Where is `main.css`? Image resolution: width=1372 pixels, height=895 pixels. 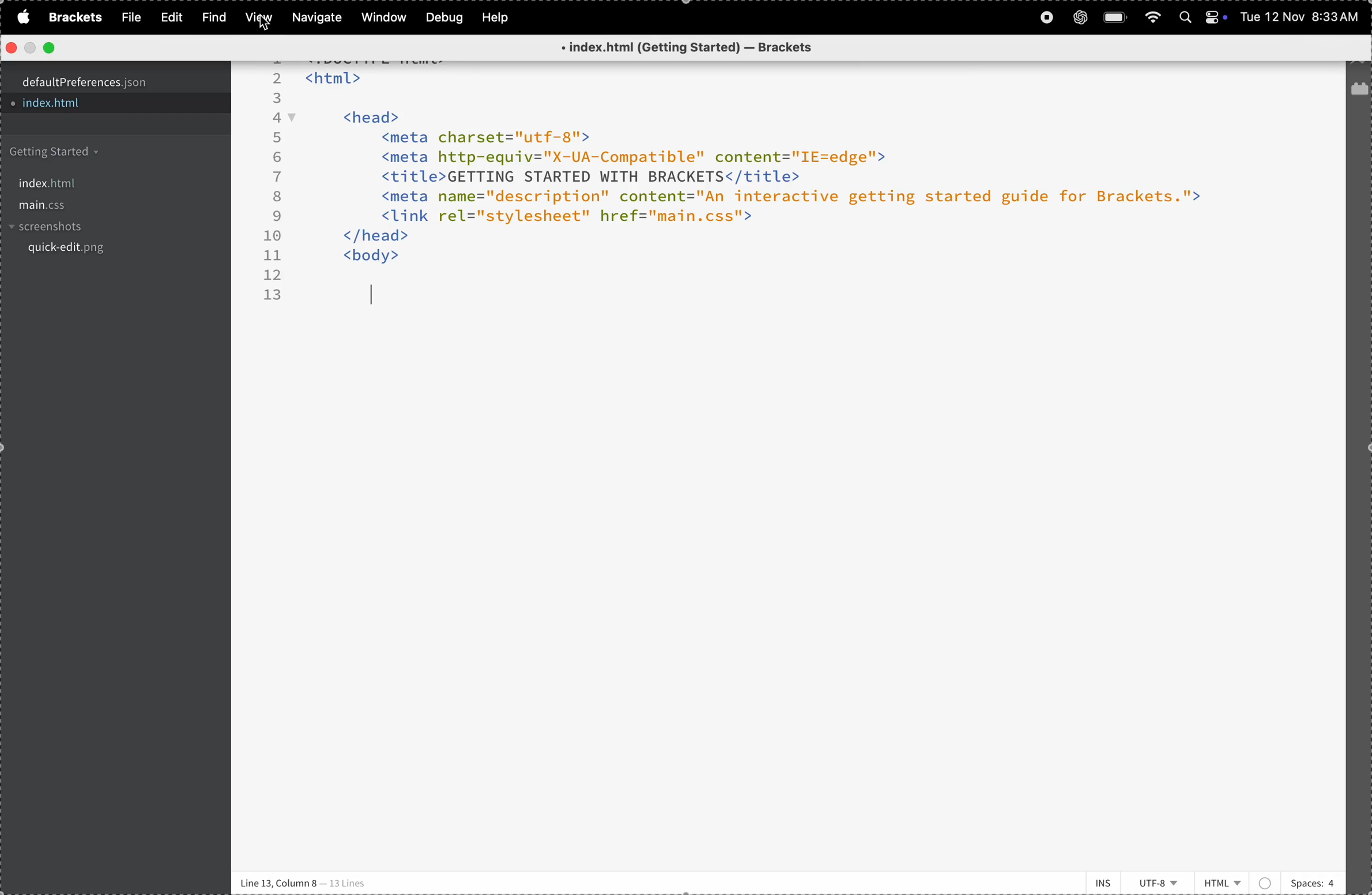
main.css is located at coordinates (105, 206).